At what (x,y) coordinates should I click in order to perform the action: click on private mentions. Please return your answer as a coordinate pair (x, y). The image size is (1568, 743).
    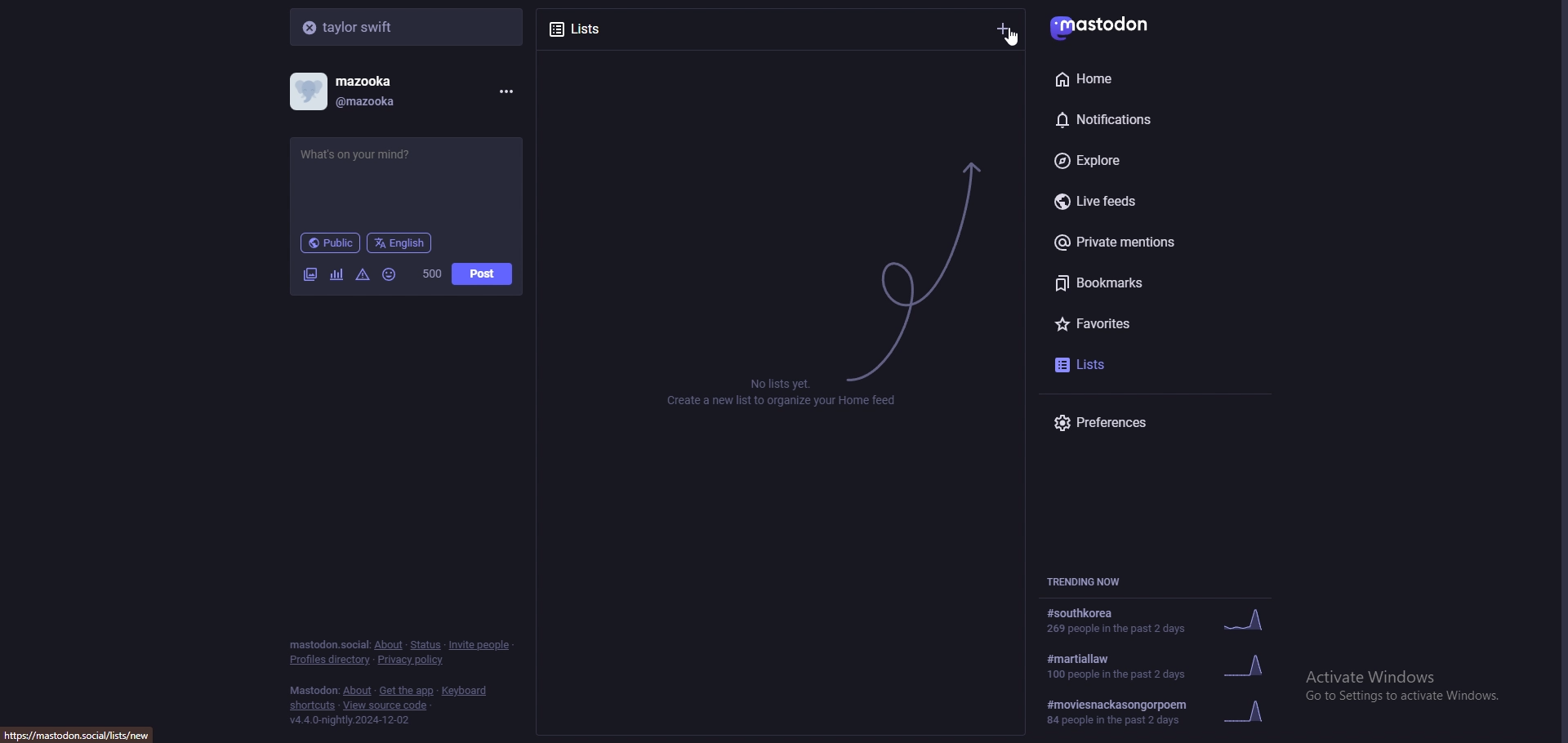
    Looking at the image, I should click on (1153, 242).